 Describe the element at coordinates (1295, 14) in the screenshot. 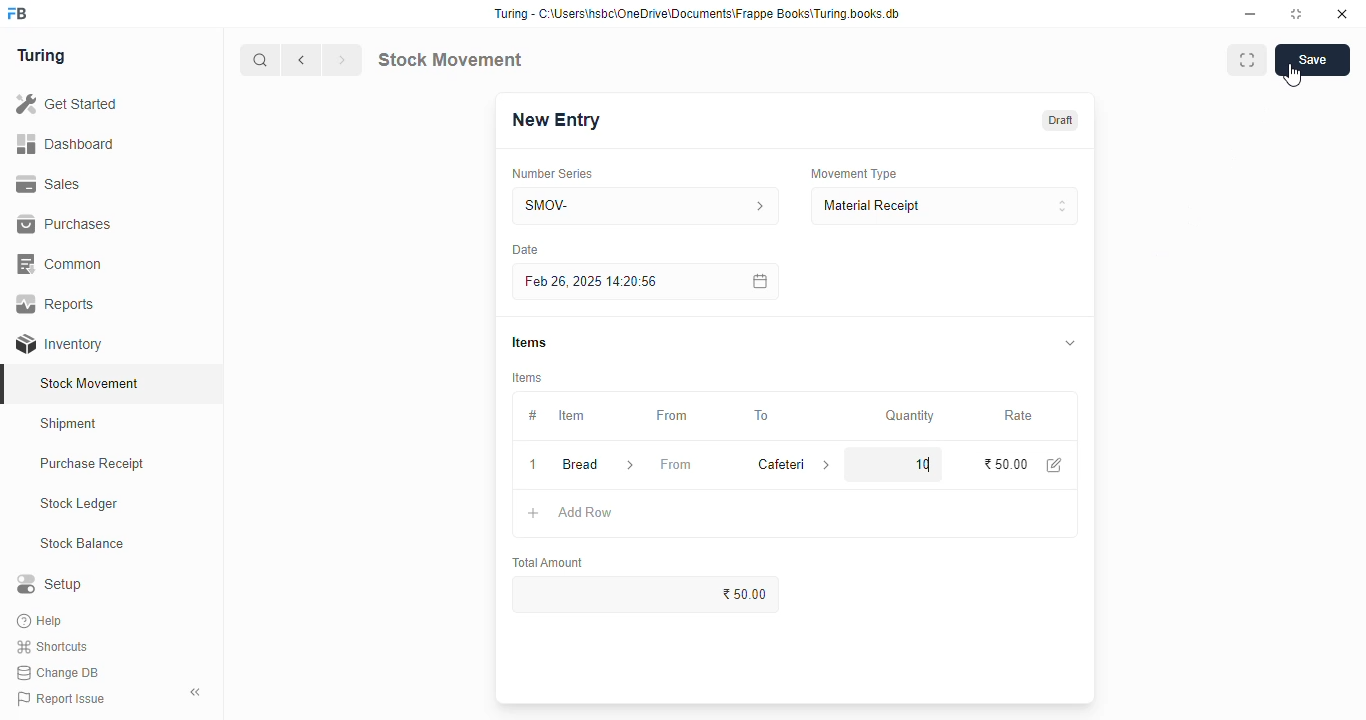

I see `toggle maximize` at that location.